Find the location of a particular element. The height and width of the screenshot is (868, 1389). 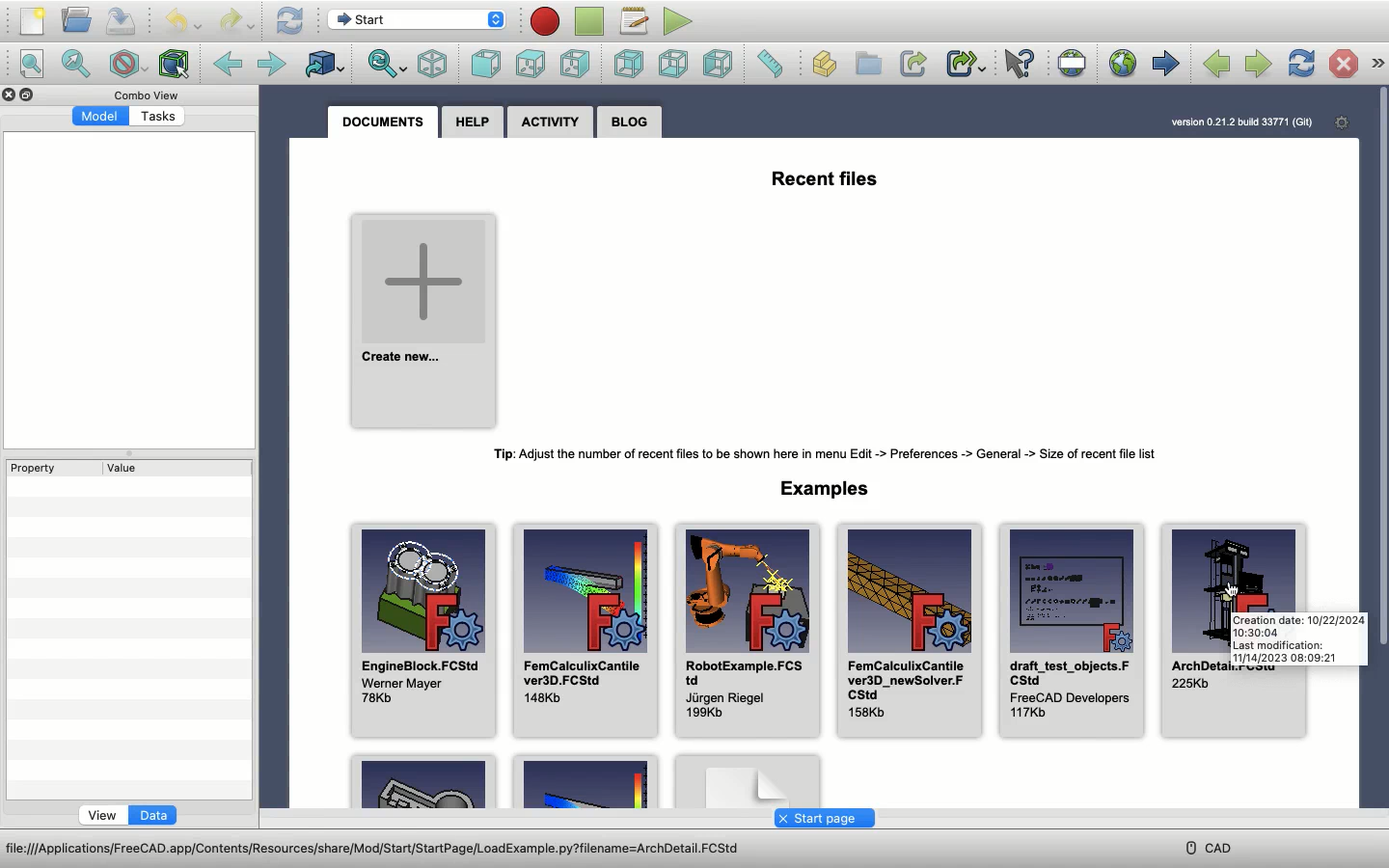

CAD menu is located at coordinates (1212, 846).